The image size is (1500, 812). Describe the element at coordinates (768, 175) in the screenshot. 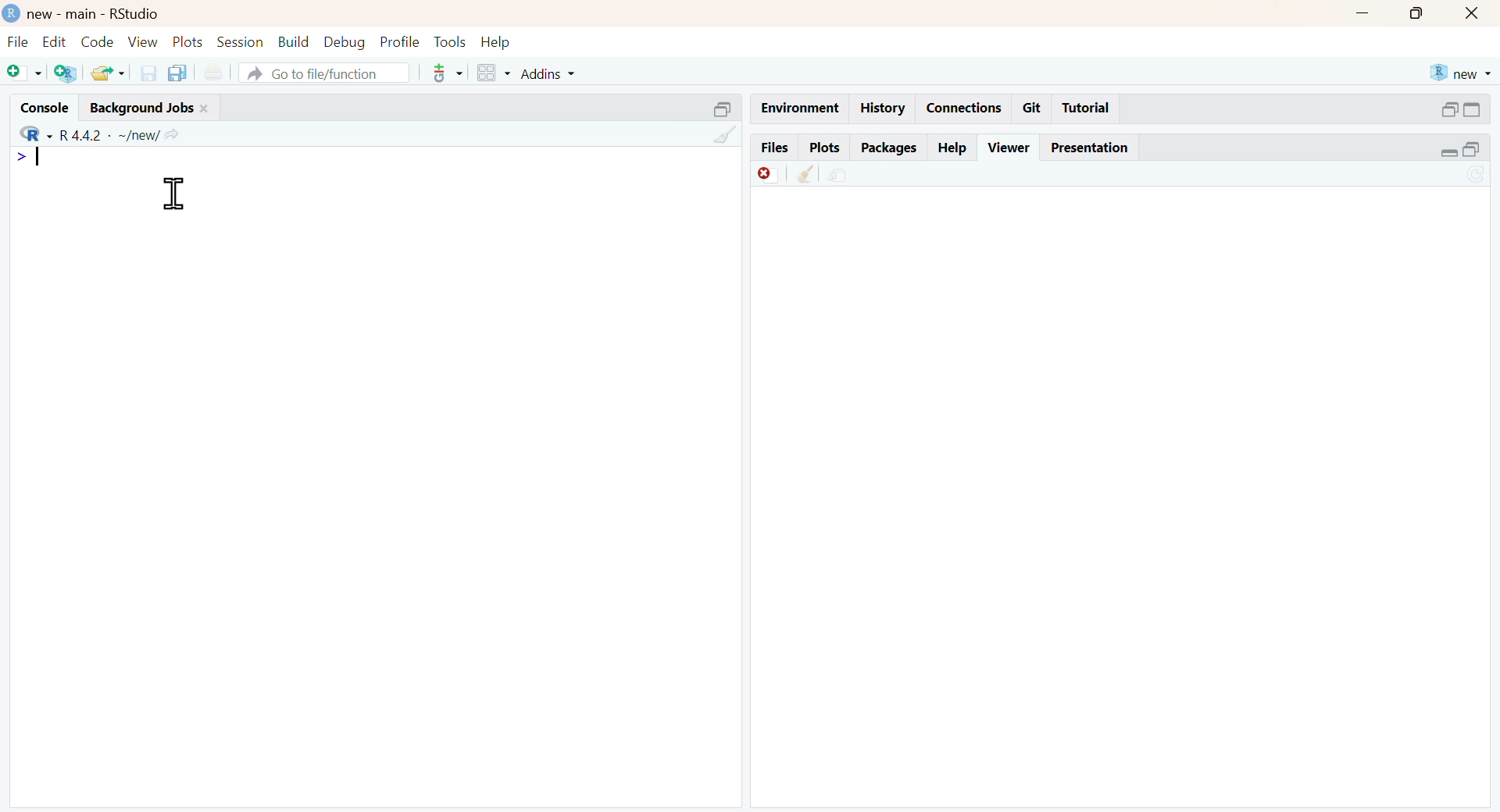

I see `Discard ` at that location.